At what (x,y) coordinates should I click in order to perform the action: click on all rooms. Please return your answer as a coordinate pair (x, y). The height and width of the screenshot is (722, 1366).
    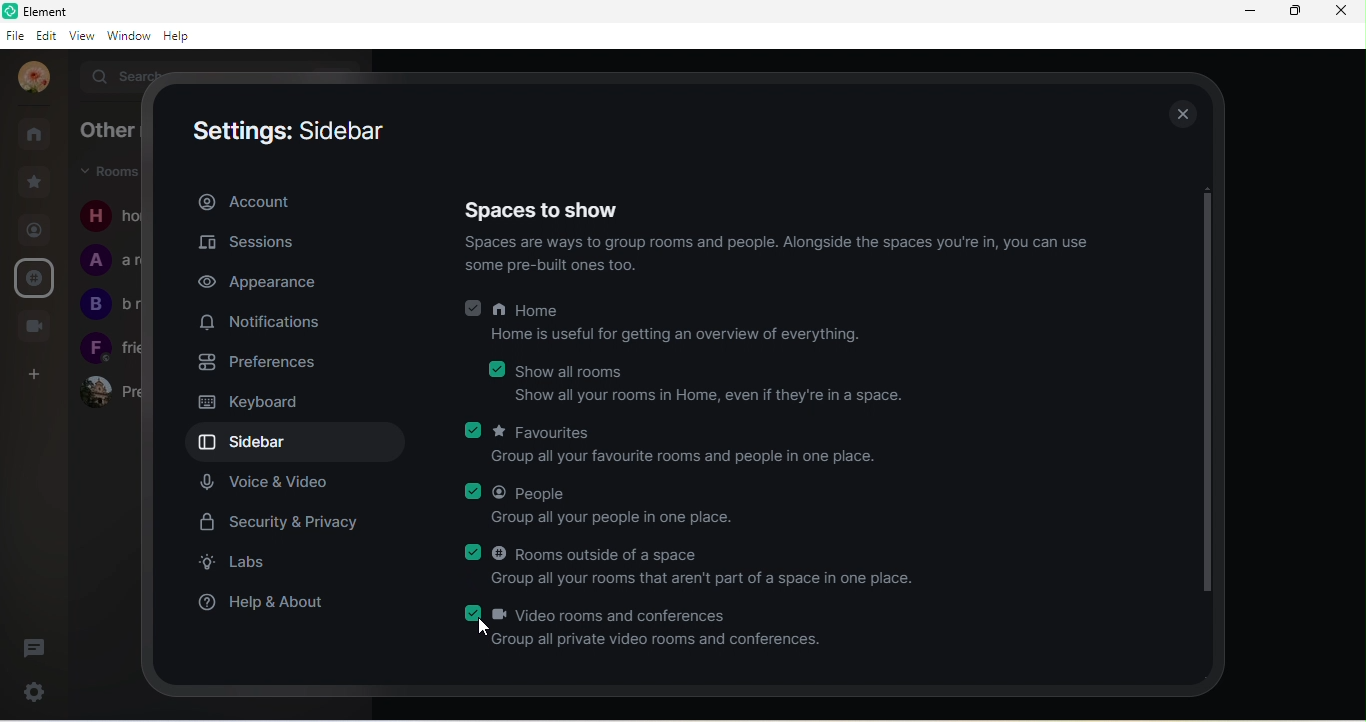
    Looking at the image, I should click on (35, 134).